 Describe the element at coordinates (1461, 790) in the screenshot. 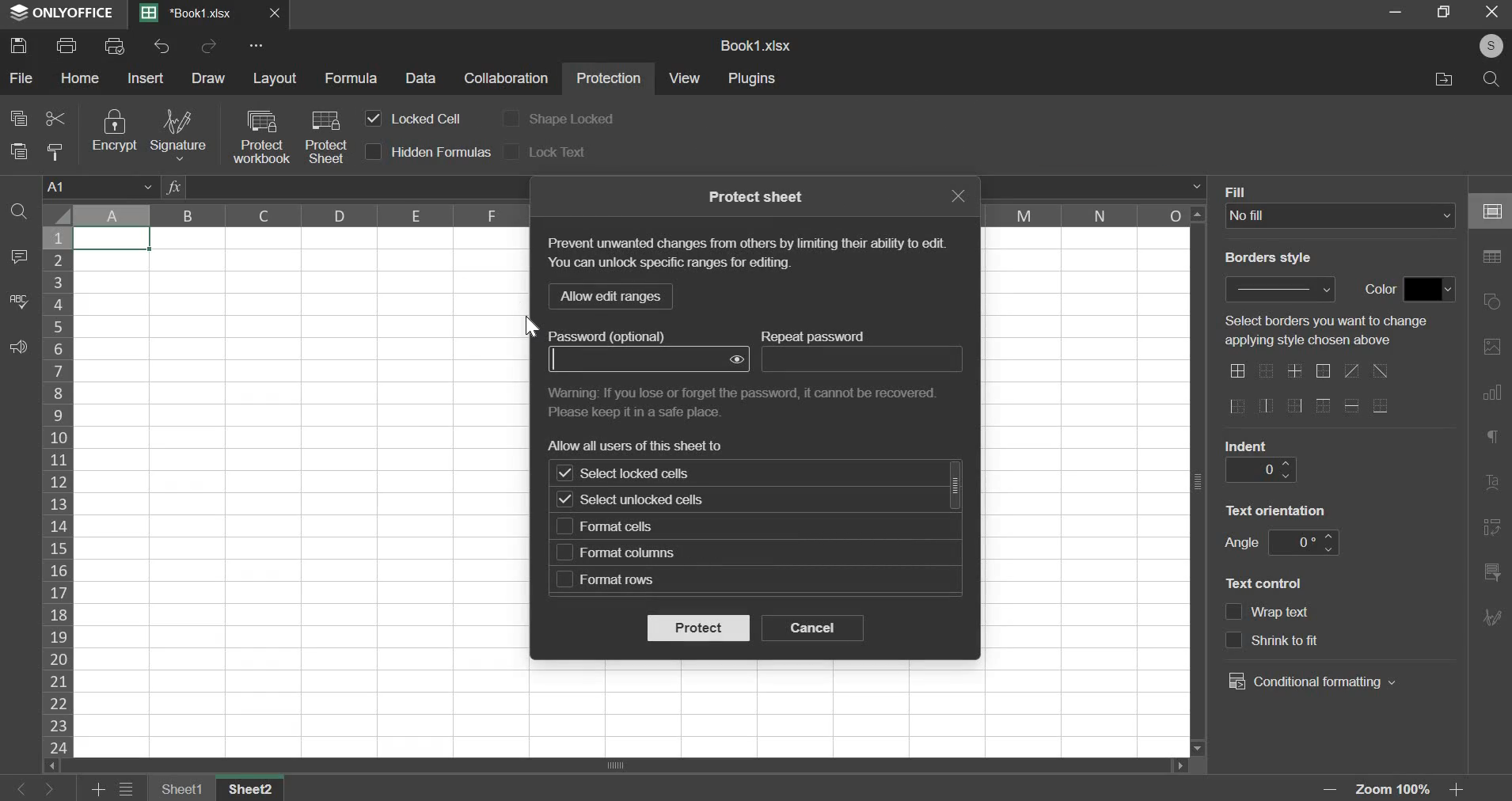

I see `zoom in` at that location.